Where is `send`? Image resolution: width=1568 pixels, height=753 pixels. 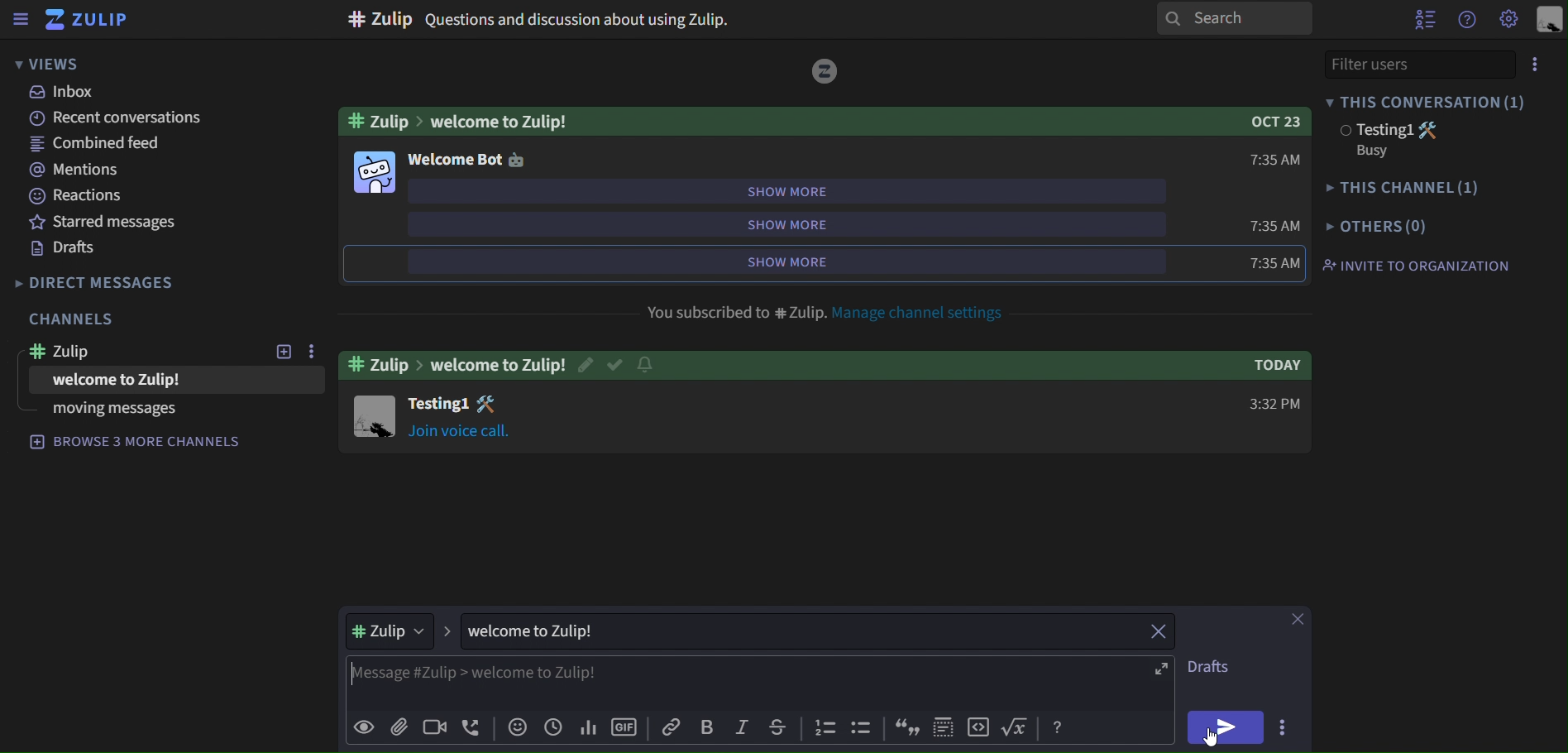 send is located at coordinates (1225, 727).